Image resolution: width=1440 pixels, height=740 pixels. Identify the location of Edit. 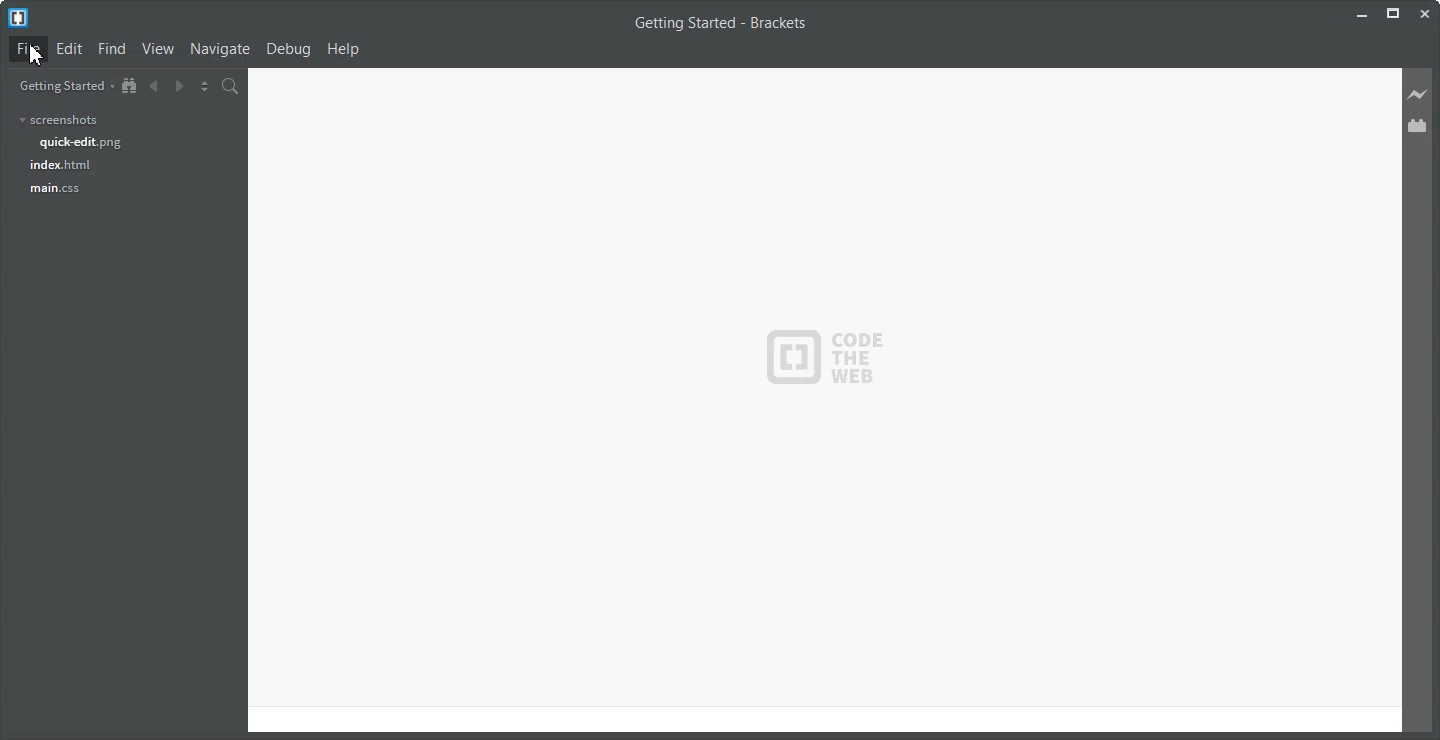
(70, 48).